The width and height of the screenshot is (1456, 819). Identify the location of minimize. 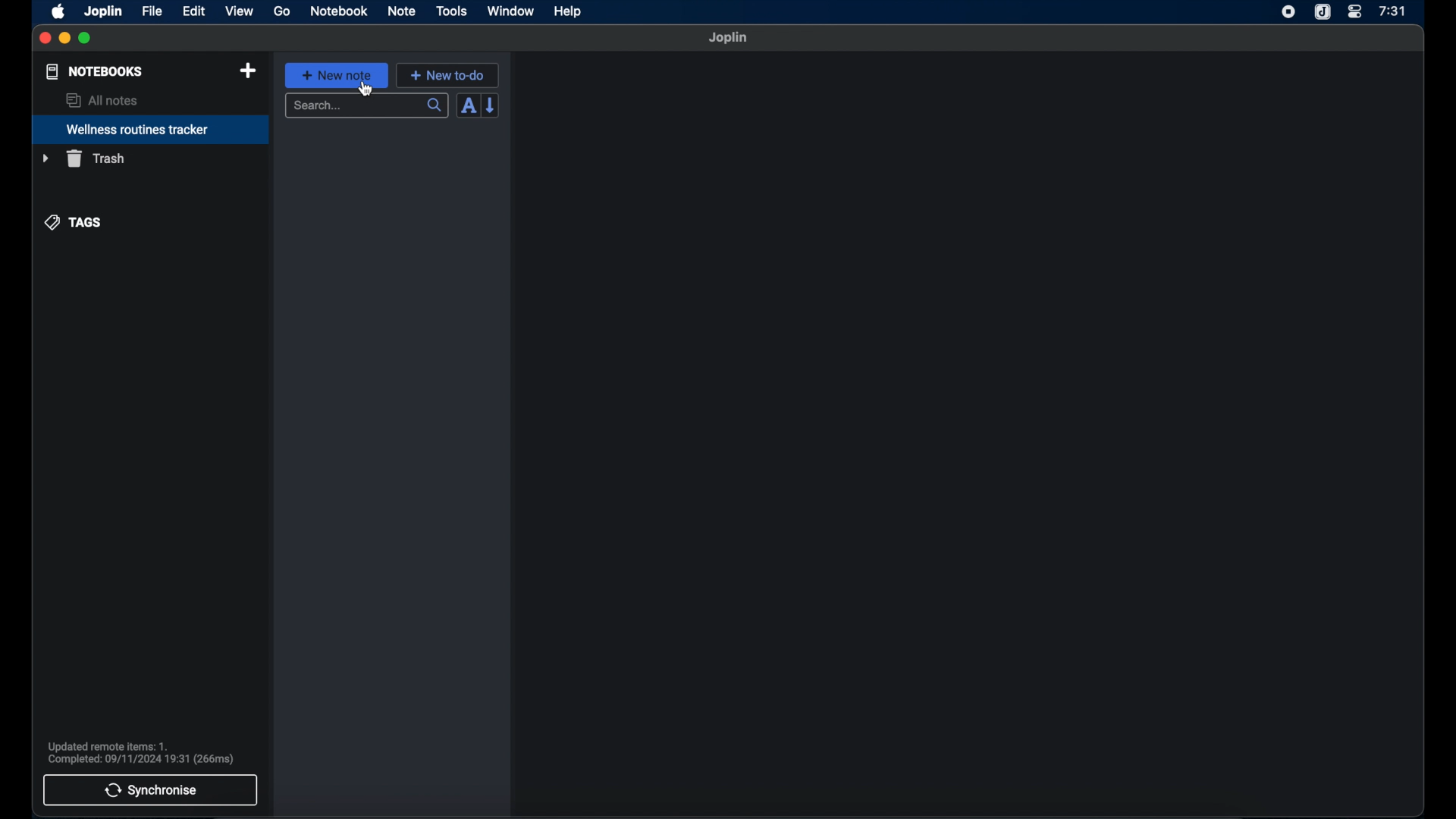
(65, 39).